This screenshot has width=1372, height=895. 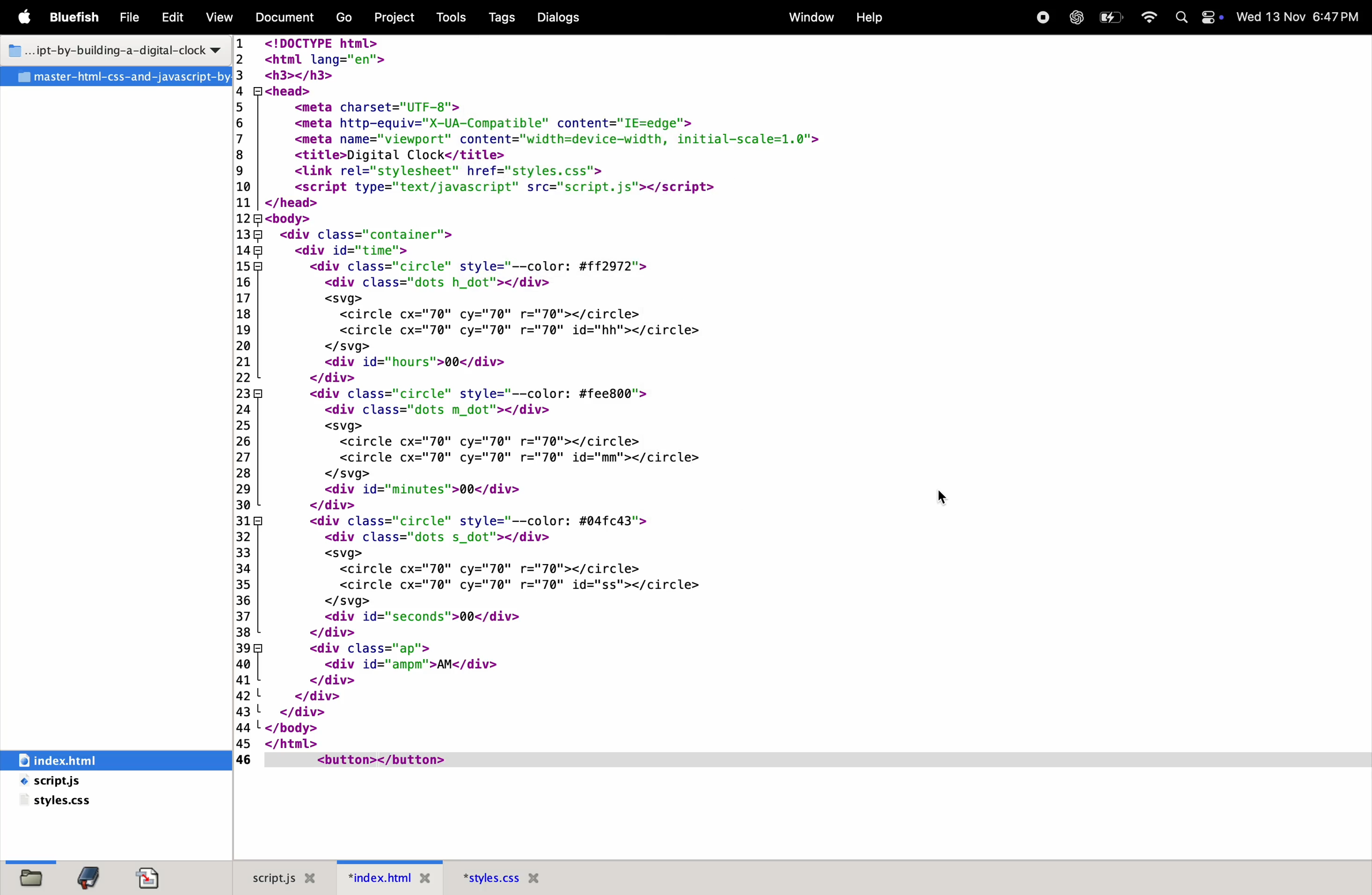 I want to click on help, so click(x=870, y=20).